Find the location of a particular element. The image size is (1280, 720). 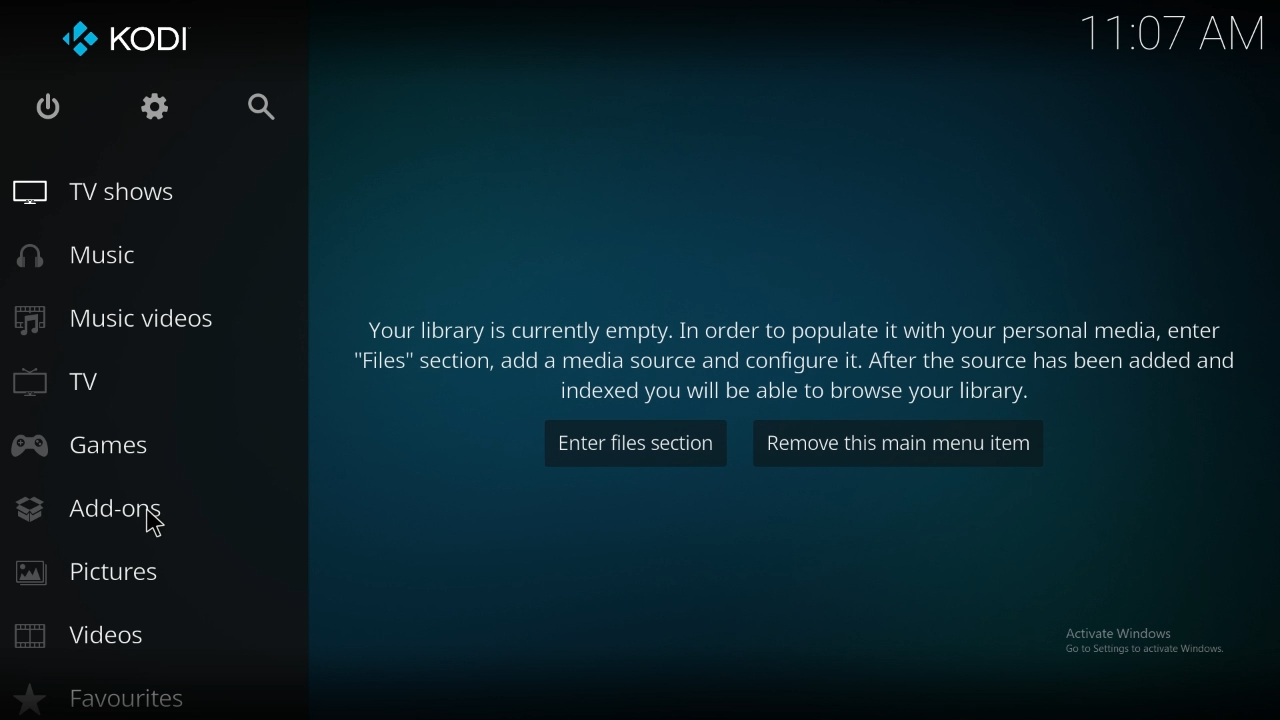

cursor is located at coordinates (158, 527).